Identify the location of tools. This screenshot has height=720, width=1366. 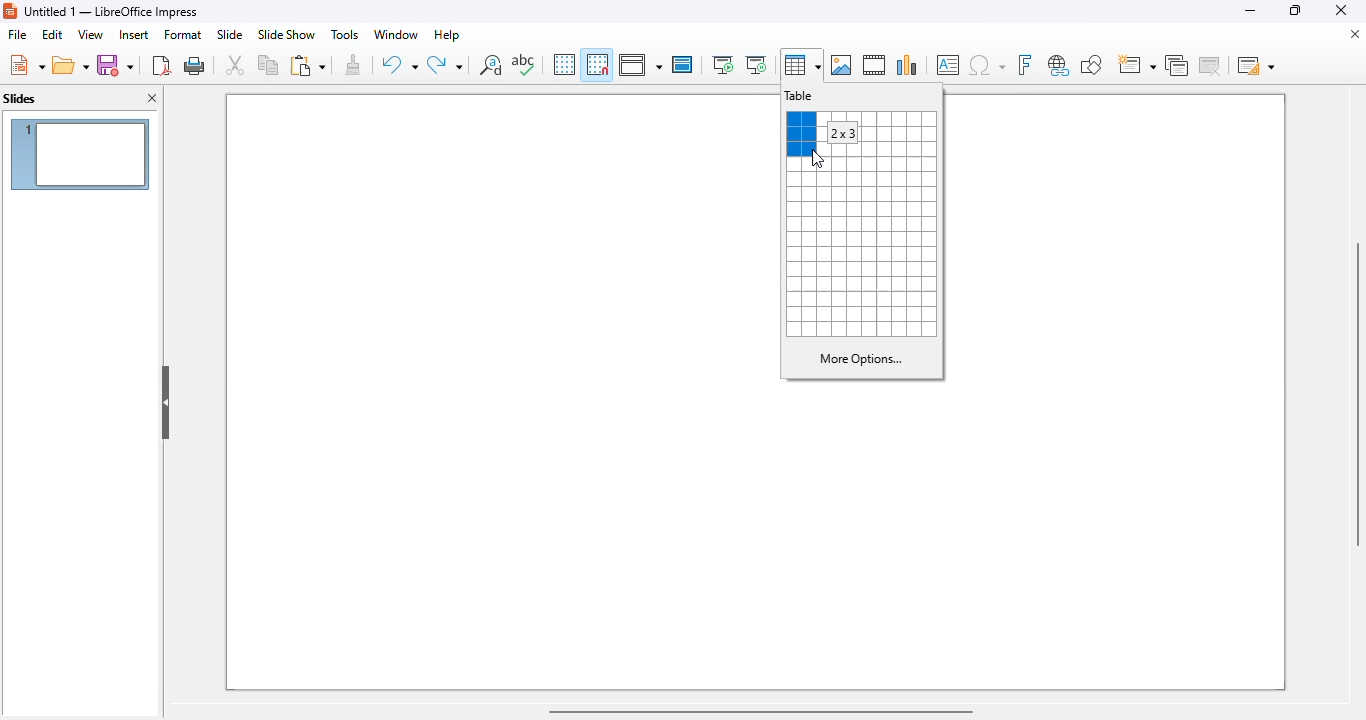
(344, 34).